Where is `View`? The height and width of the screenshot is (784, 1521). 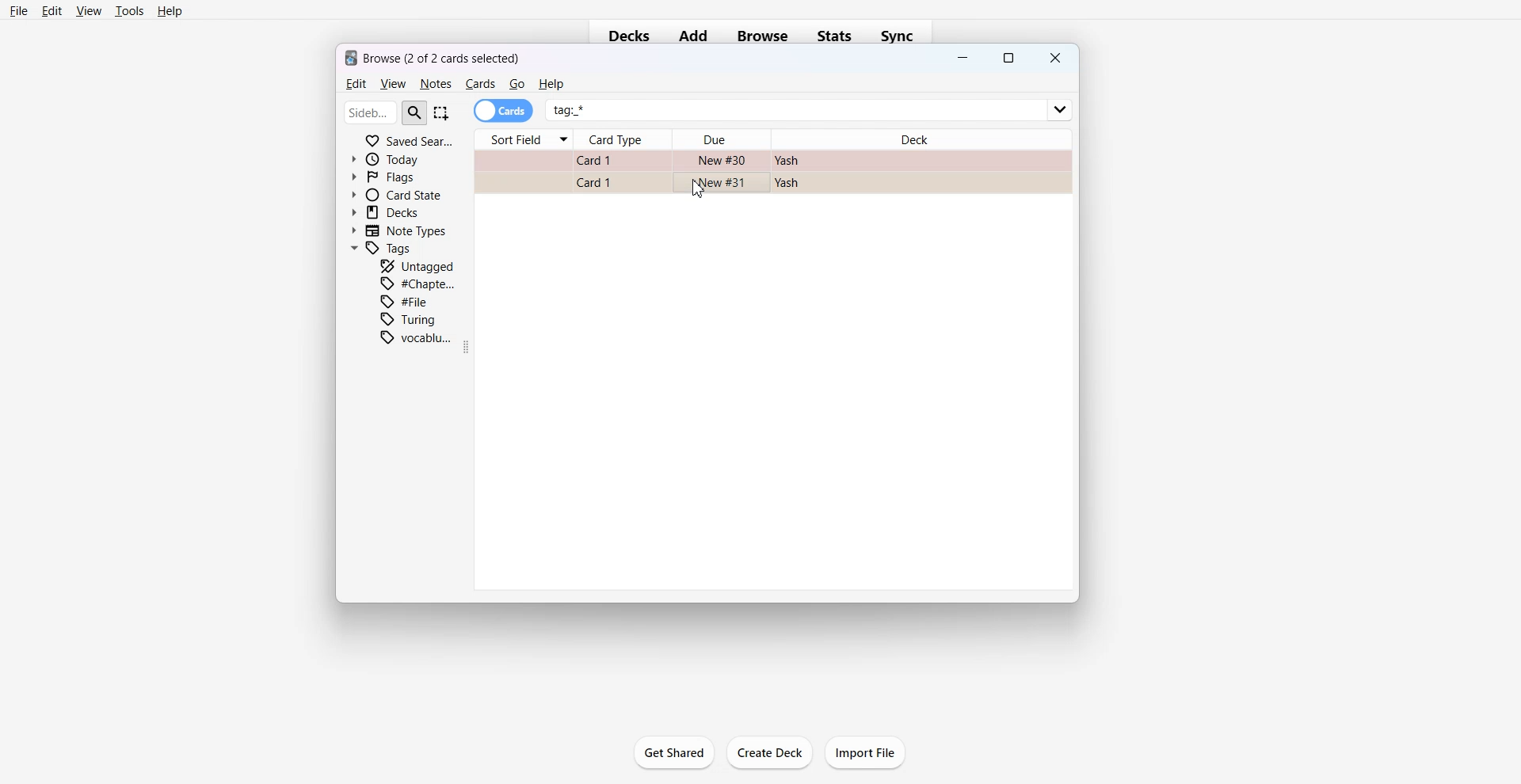
View is located at coordinates (392, 84).